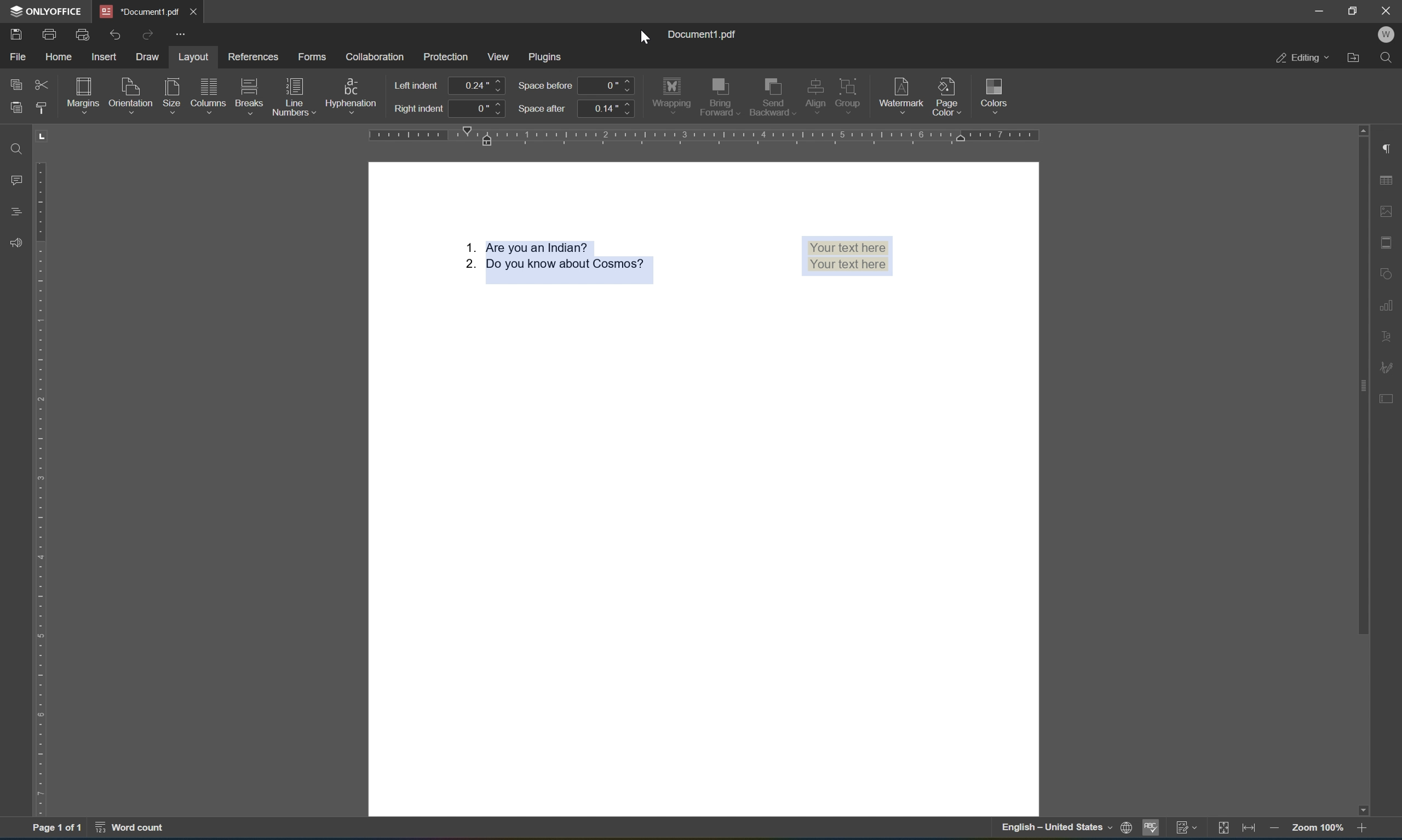 Image resolution: width=1402 pixels, height=840 pixels. What do you see at coordinates (18, 57) in the screenshot?
I see `file` at bounding box center [18, 57].